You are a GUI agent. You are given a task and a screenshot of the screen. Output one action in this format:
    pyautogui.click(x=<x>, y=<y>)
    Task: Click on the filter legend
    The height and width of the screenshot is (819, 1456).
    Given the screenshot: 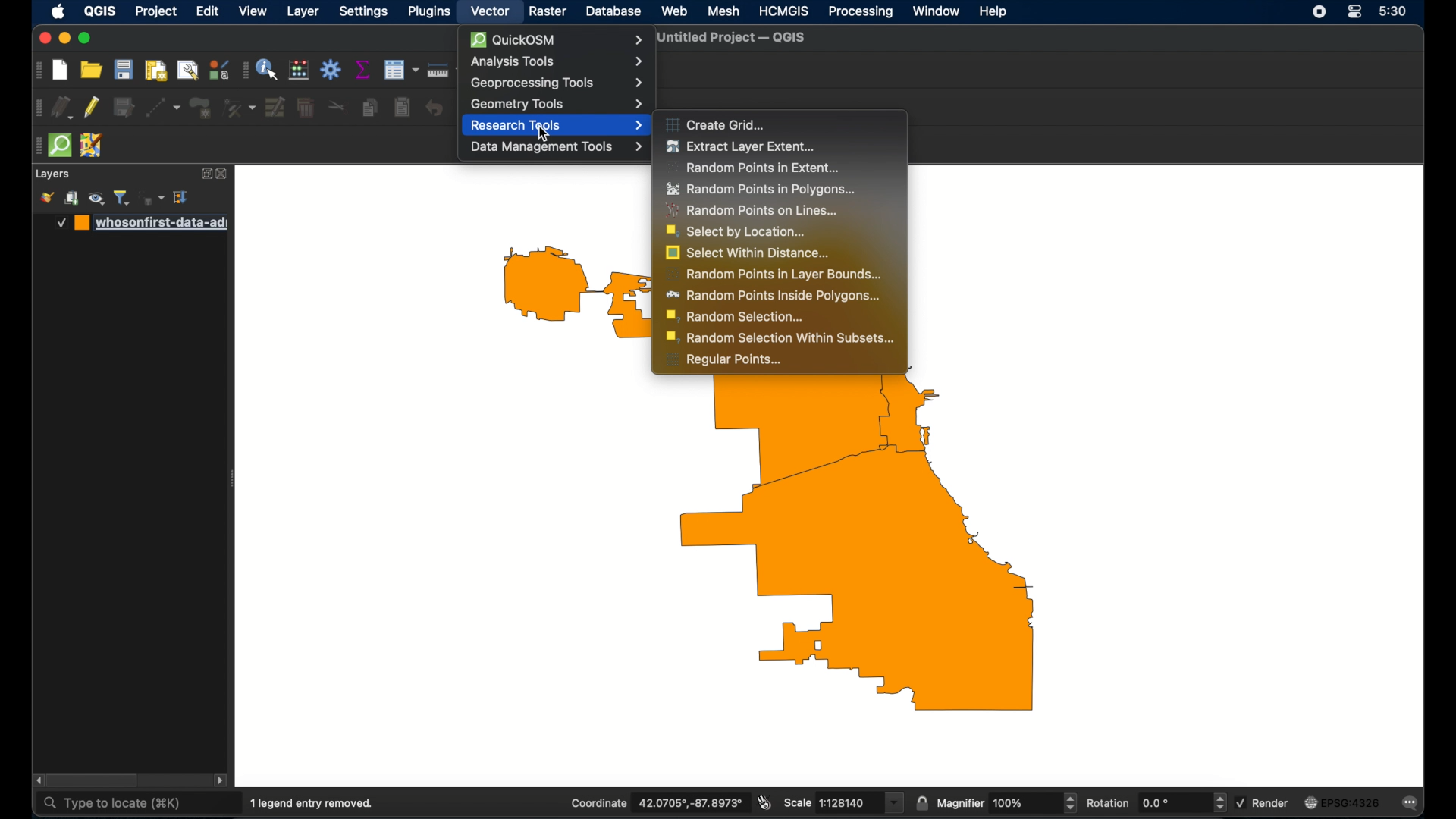 What is the action you would take?
    pyautogui.click(x=124, y=197)
    